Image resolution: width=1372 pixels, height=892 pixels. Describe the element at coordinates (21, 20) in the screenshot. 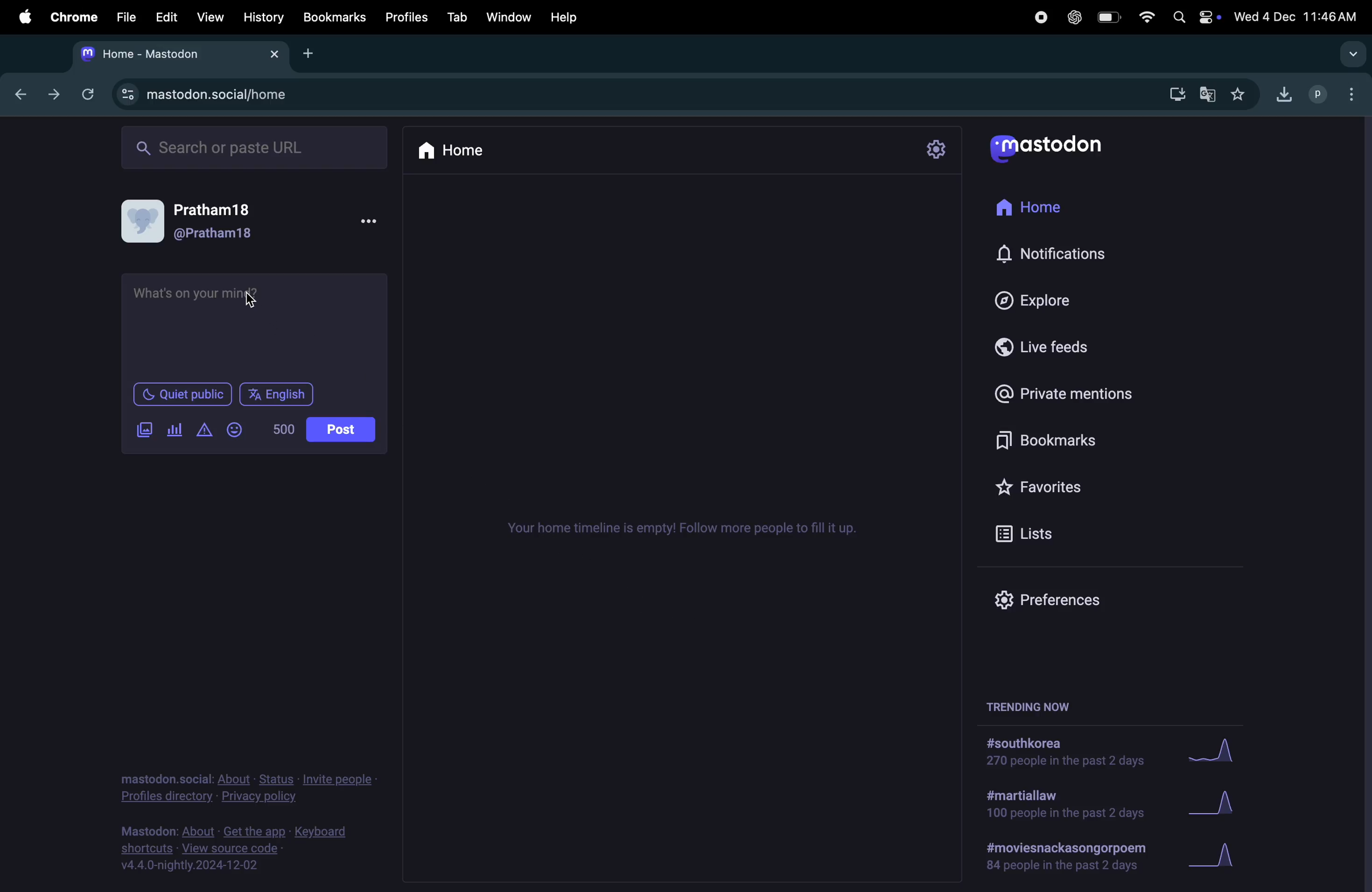

I see `apple menu` at that location.